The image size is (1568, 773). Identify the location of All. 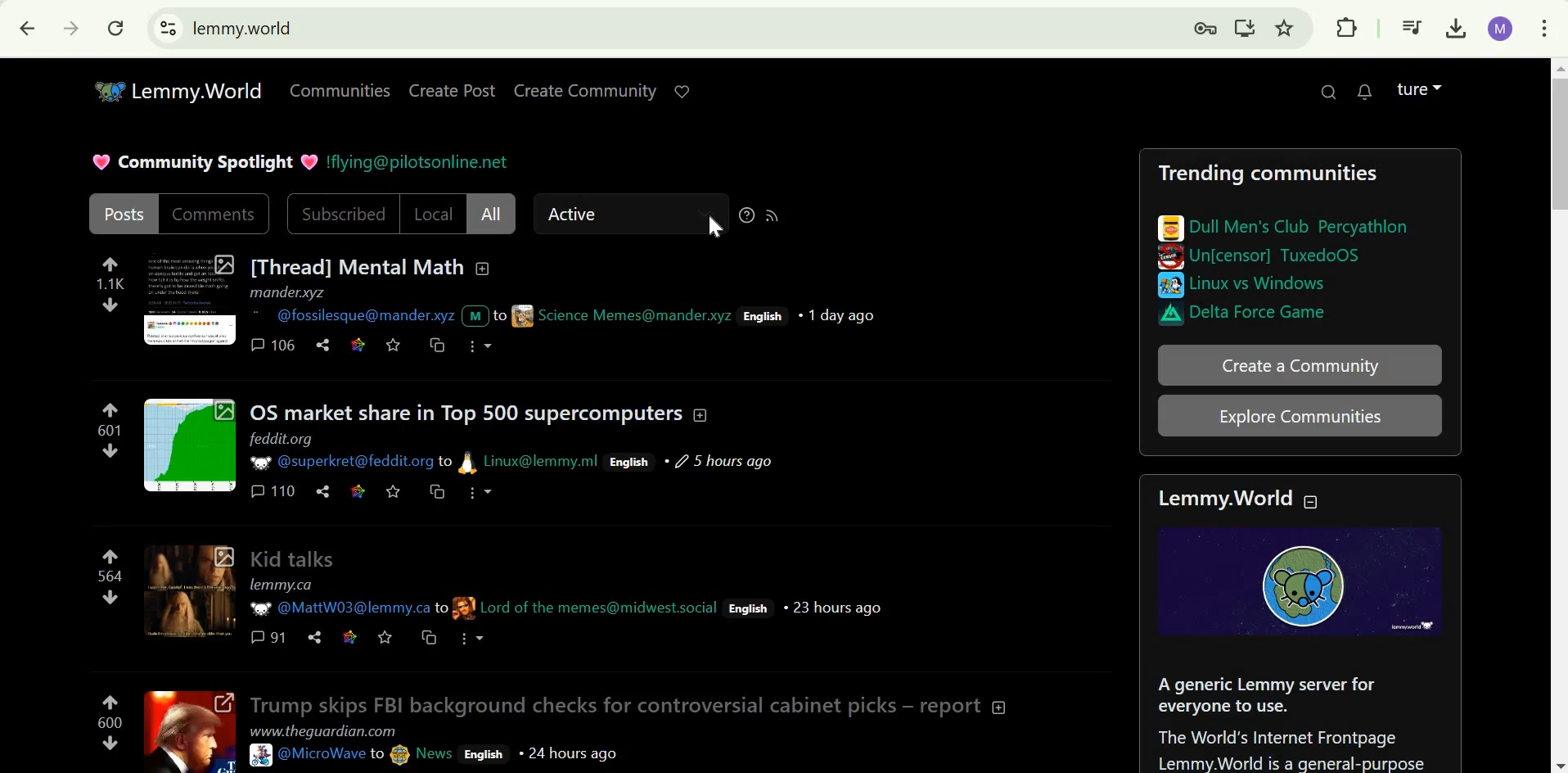
(491, 213).